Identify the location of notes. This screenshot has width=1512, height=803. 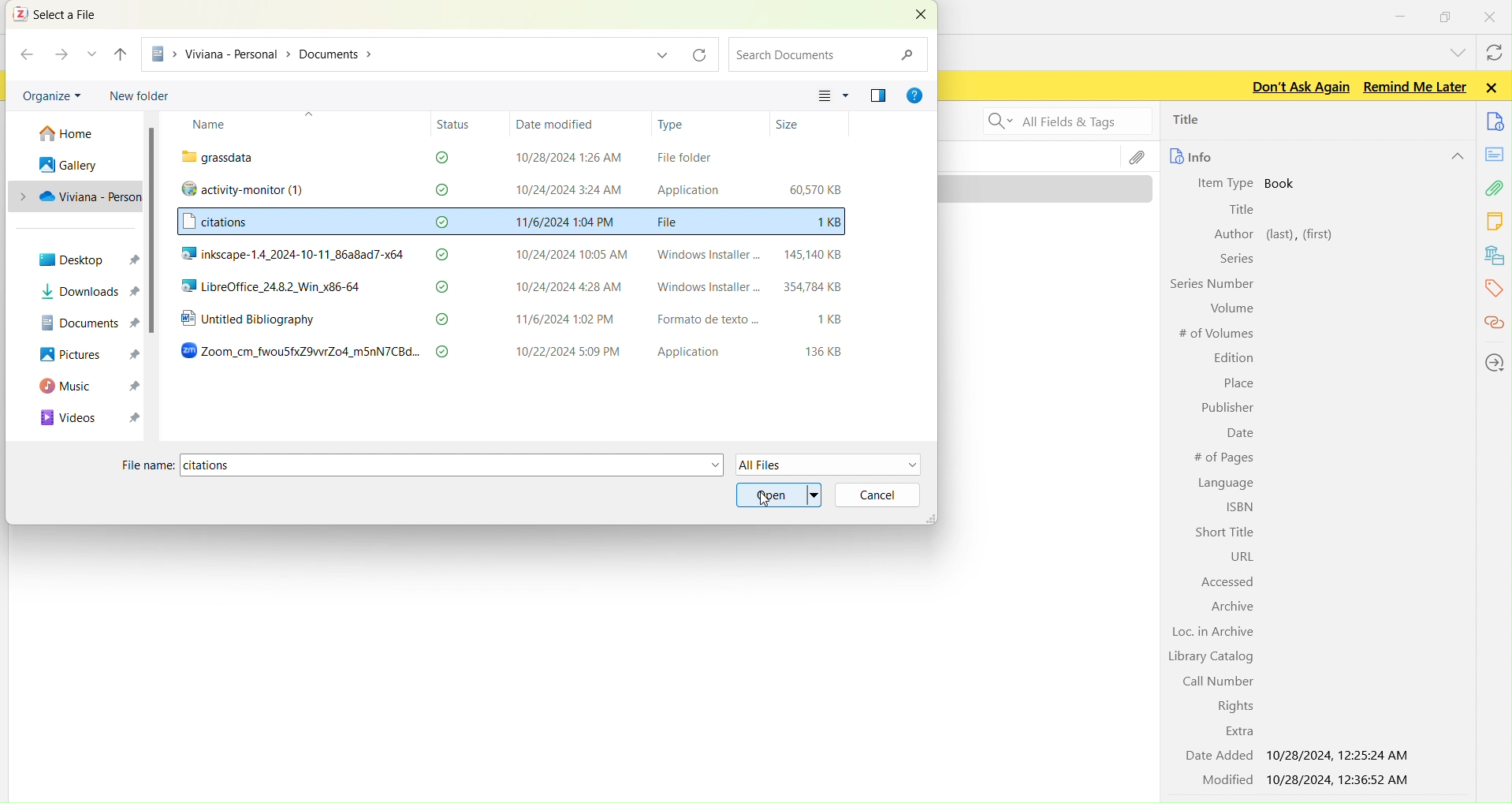
(1495, 153).